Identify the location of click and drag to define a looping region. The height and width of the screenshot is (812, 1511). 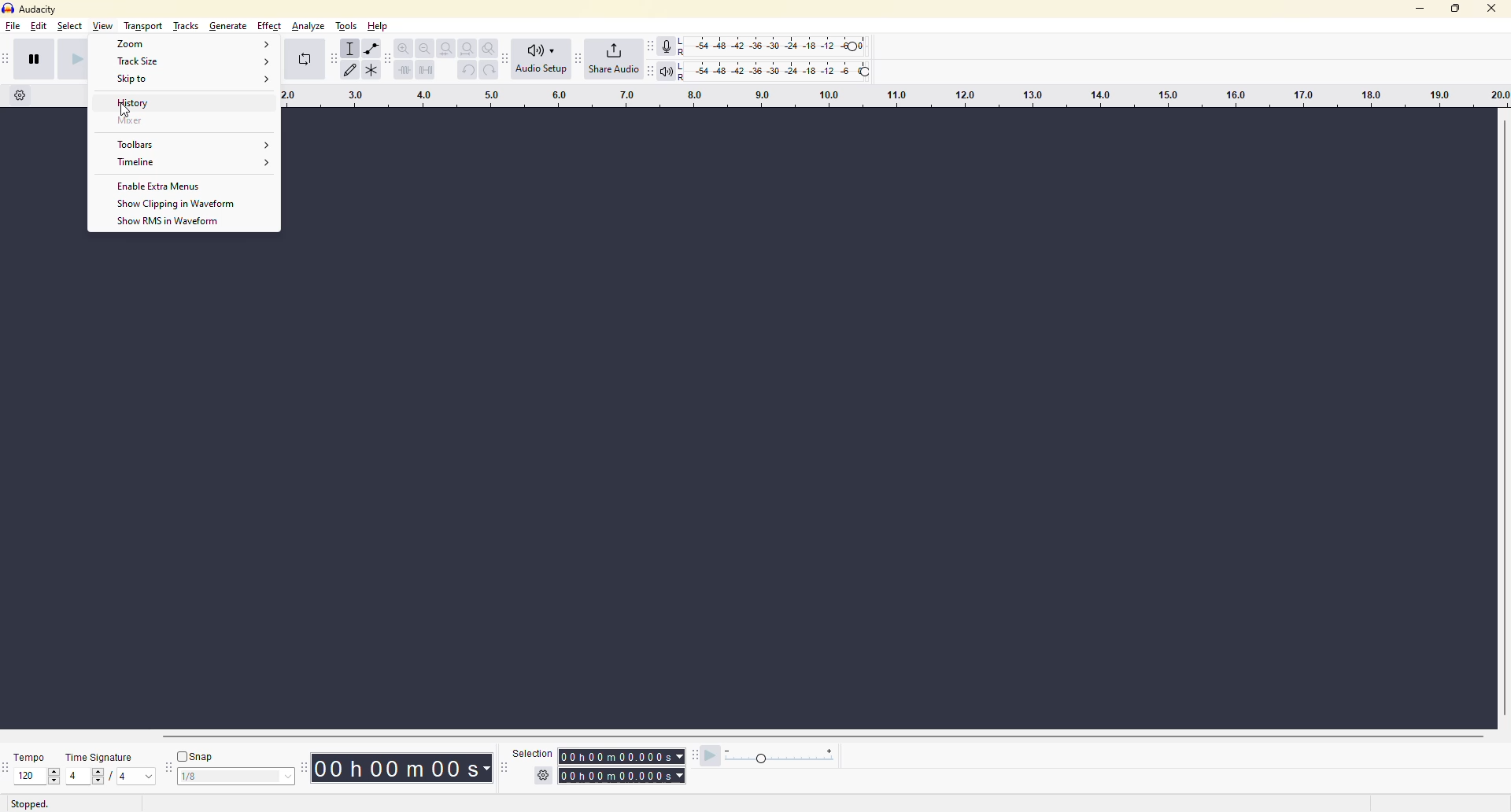
(891, 96).